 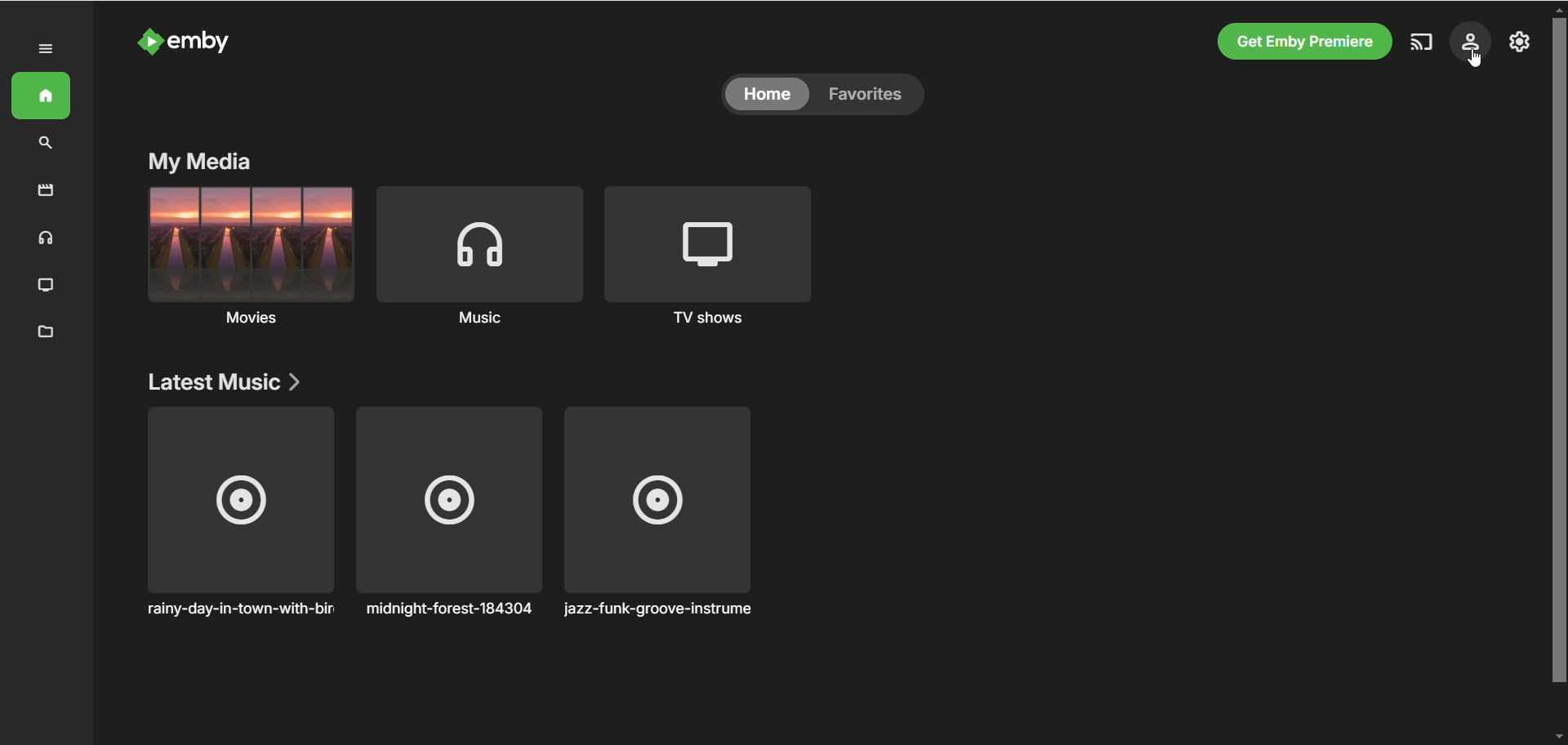 I want to click on Movies, so click(x=252, y=323).